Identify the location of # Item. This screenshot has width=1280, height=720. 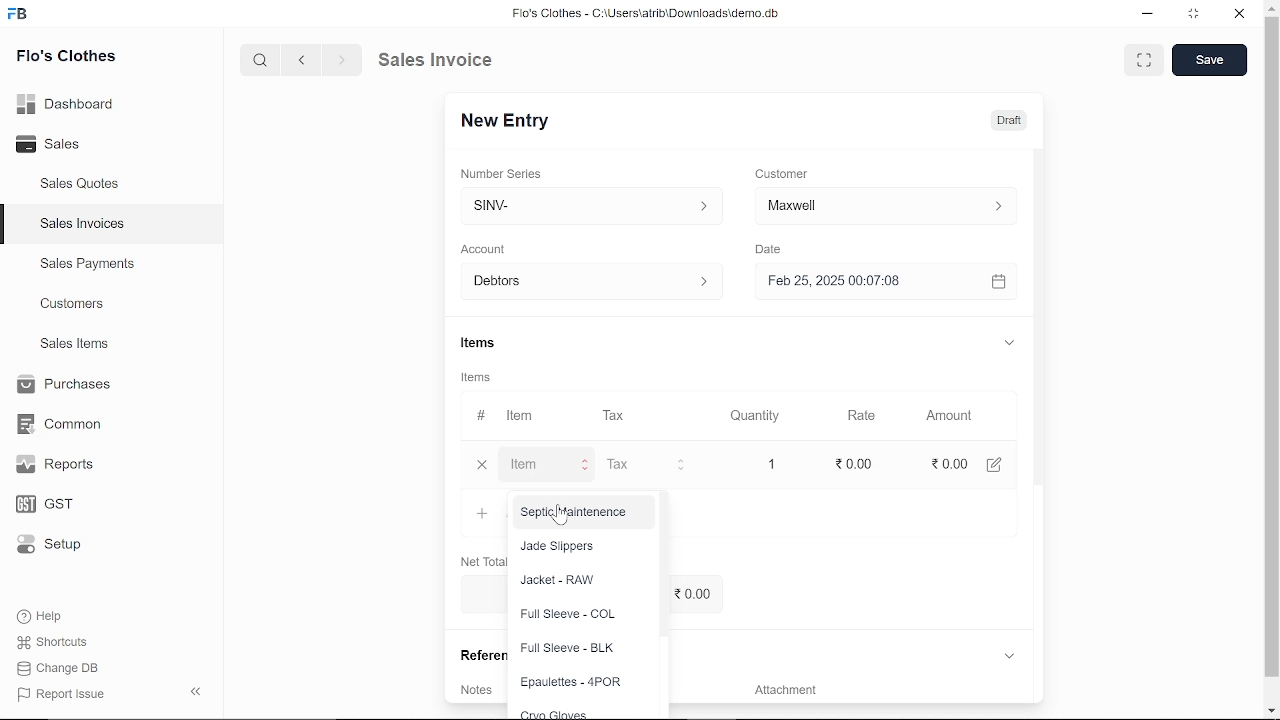
(513, 417).